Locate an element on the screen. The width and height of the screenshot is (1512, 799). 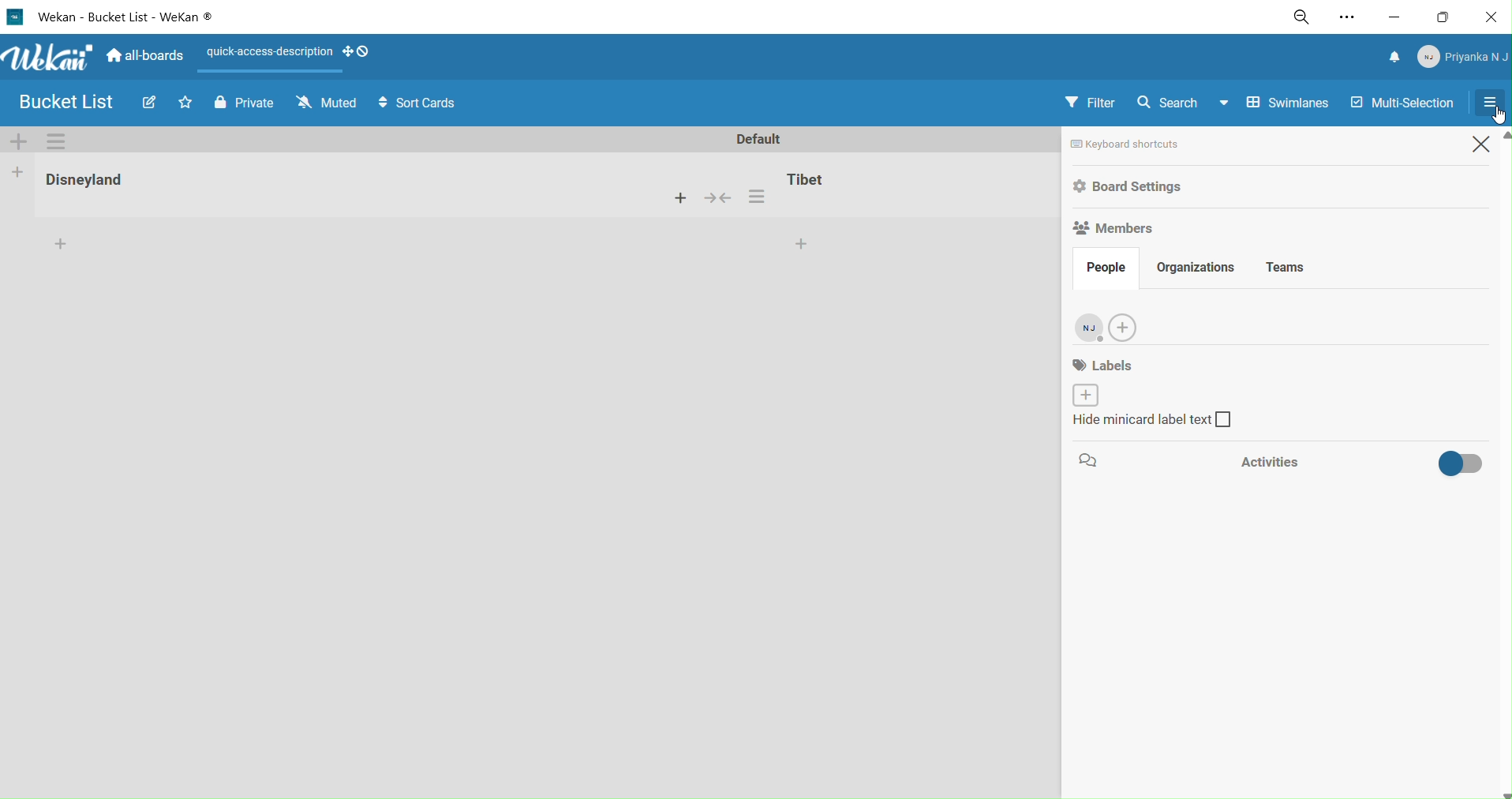
multi selection is located at coordinates (1405, 102).